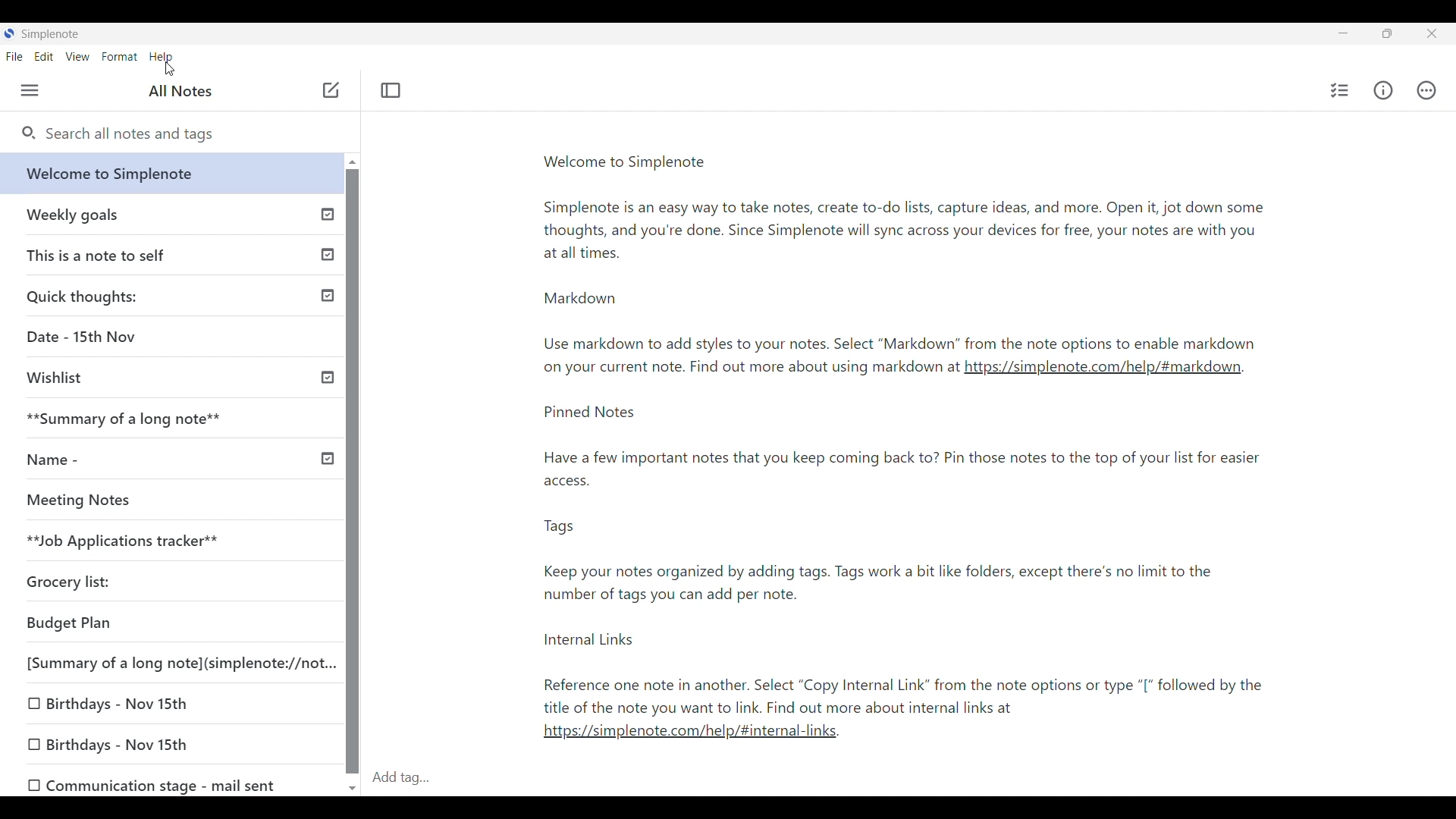 Image resolution: width=1456 pixels, height=819 pixels. I want to click on Grocery list:, so click(72, 579).